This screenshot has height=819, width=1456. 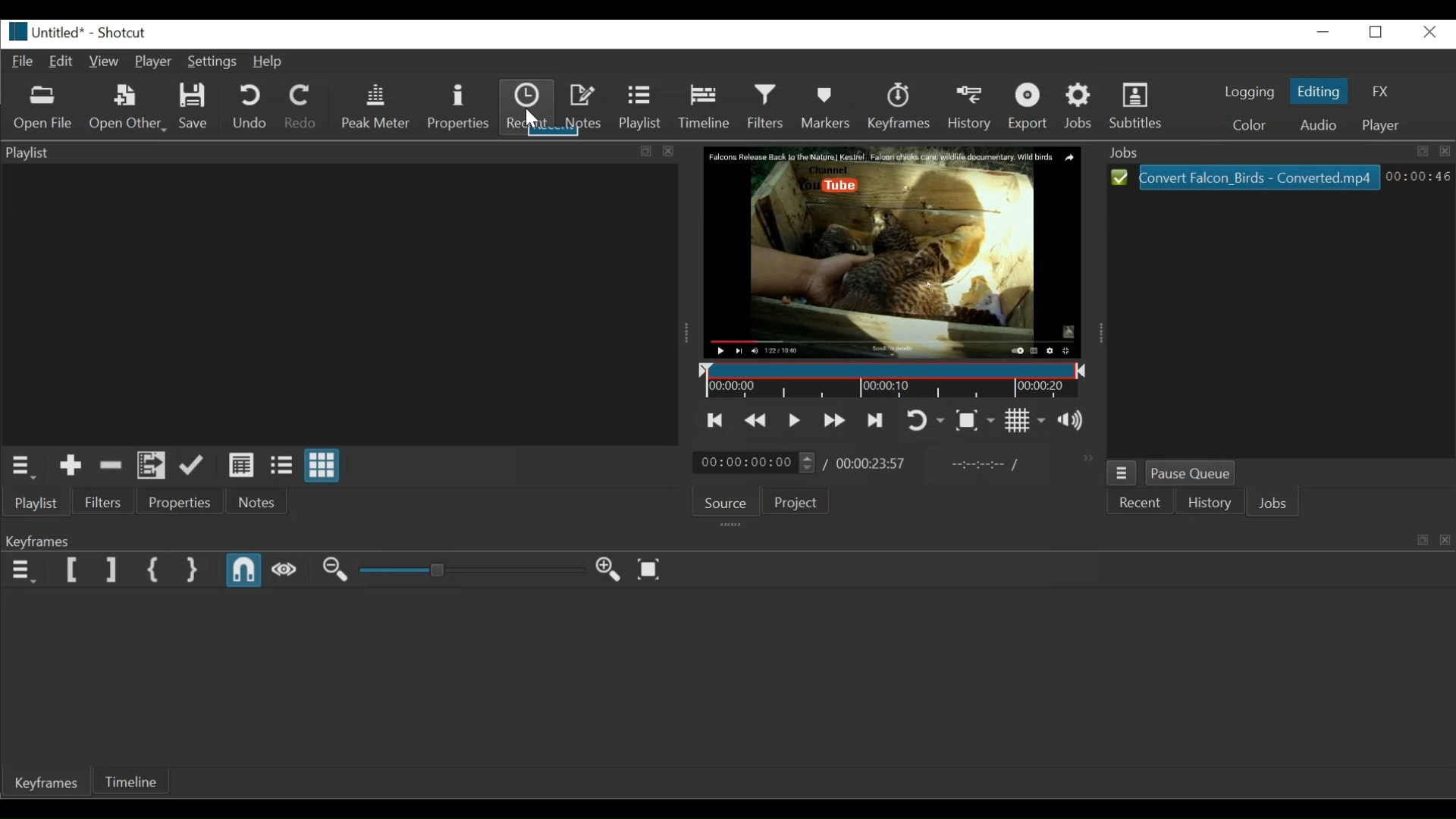 What do you see at coordinates (124, 34) in the screenshot?
I see `Shotcut` at bounding box center [124, 34].